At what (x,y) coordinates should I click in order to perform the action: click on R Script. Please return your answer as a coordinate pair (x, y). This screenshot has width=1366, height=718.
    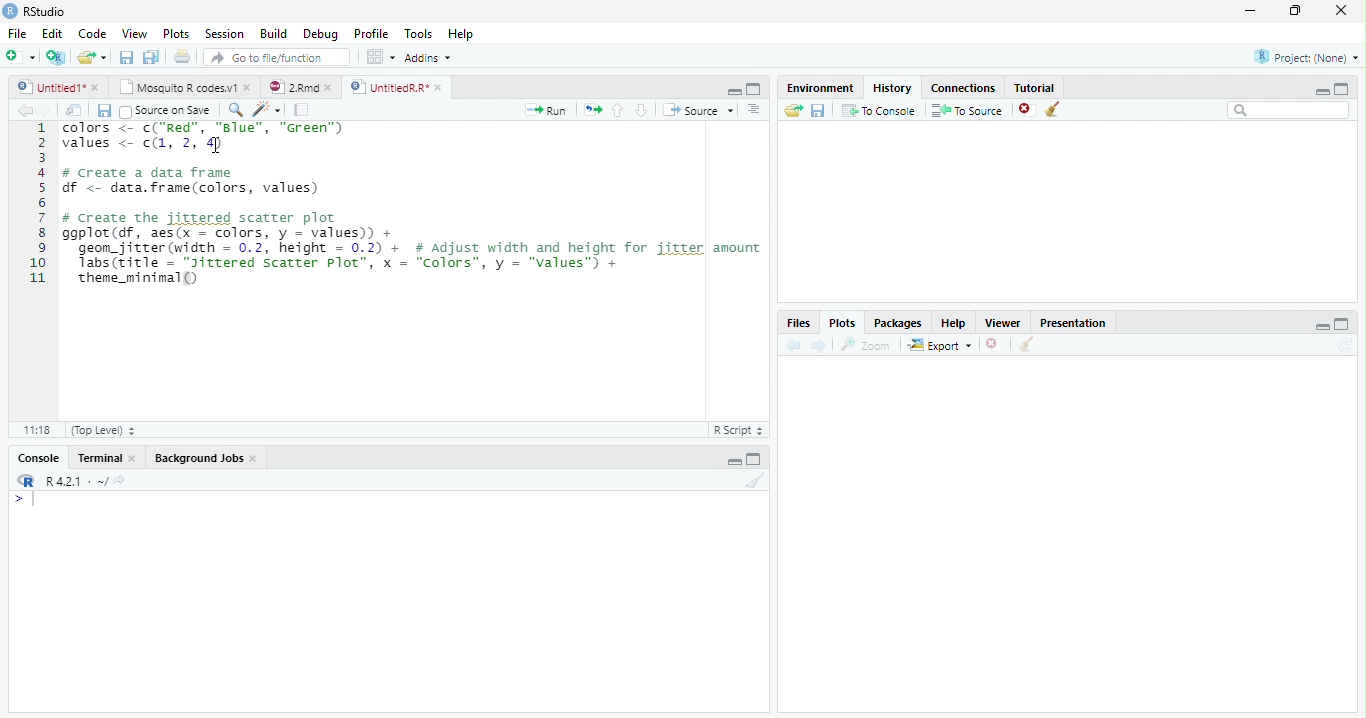
    Looking at the image, I should click on (739, 430).